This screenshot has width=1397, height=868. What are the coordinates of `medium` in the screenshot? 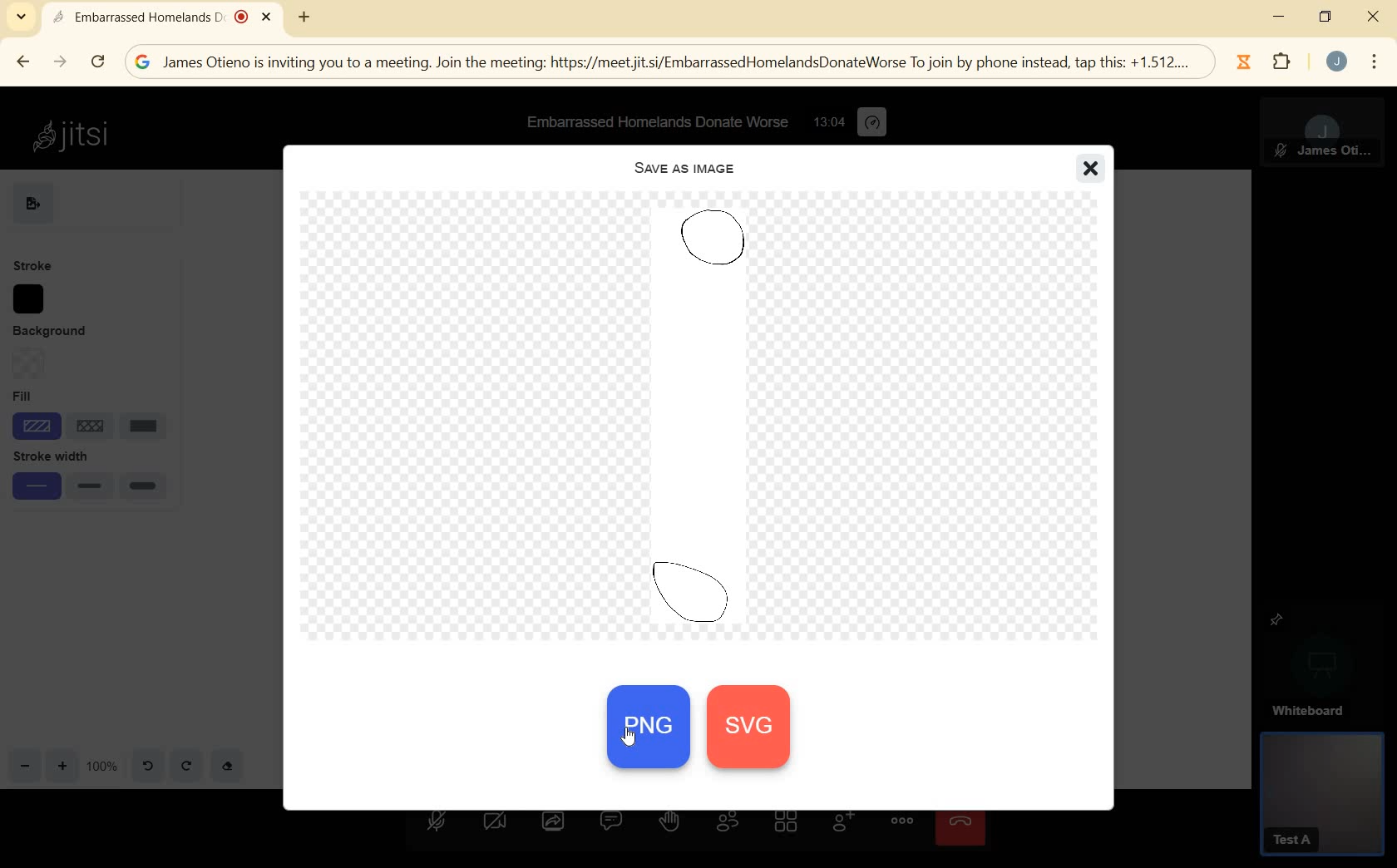 It's located at (89, 489).